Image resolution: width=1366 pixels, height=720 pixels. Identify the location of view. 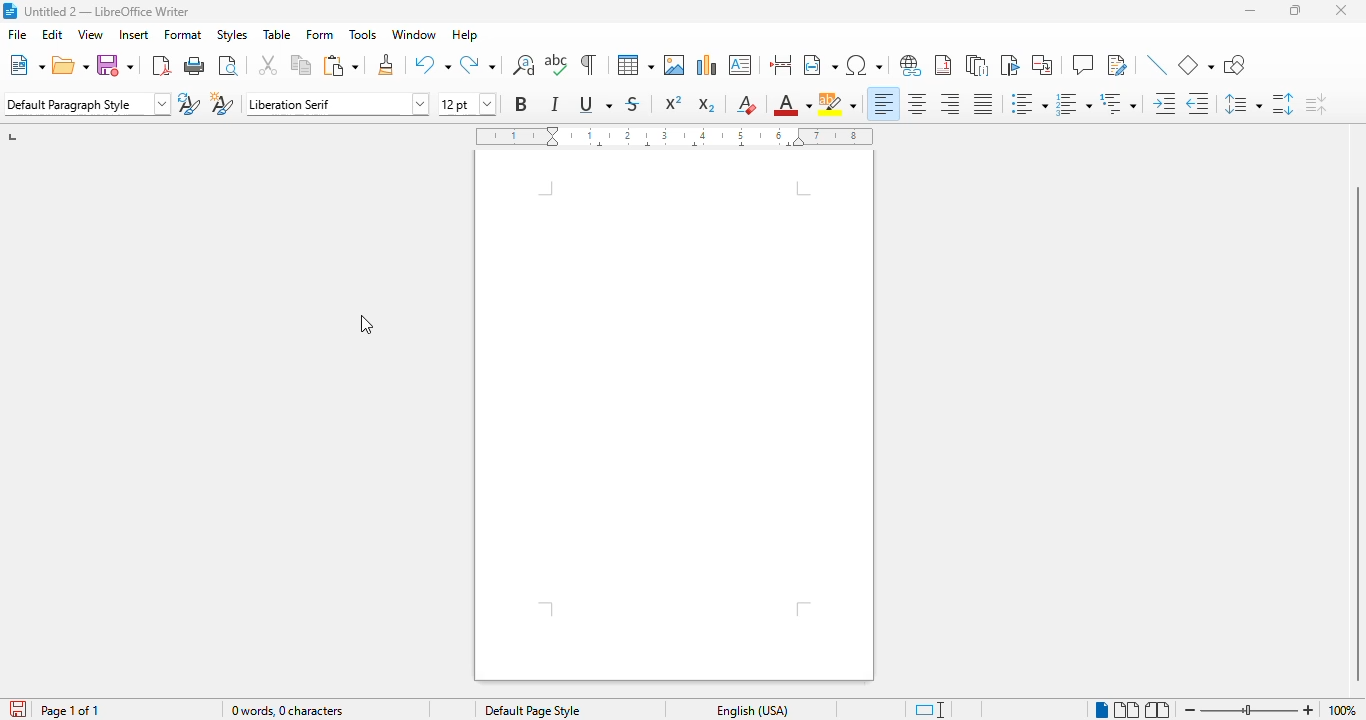
(90, 34).